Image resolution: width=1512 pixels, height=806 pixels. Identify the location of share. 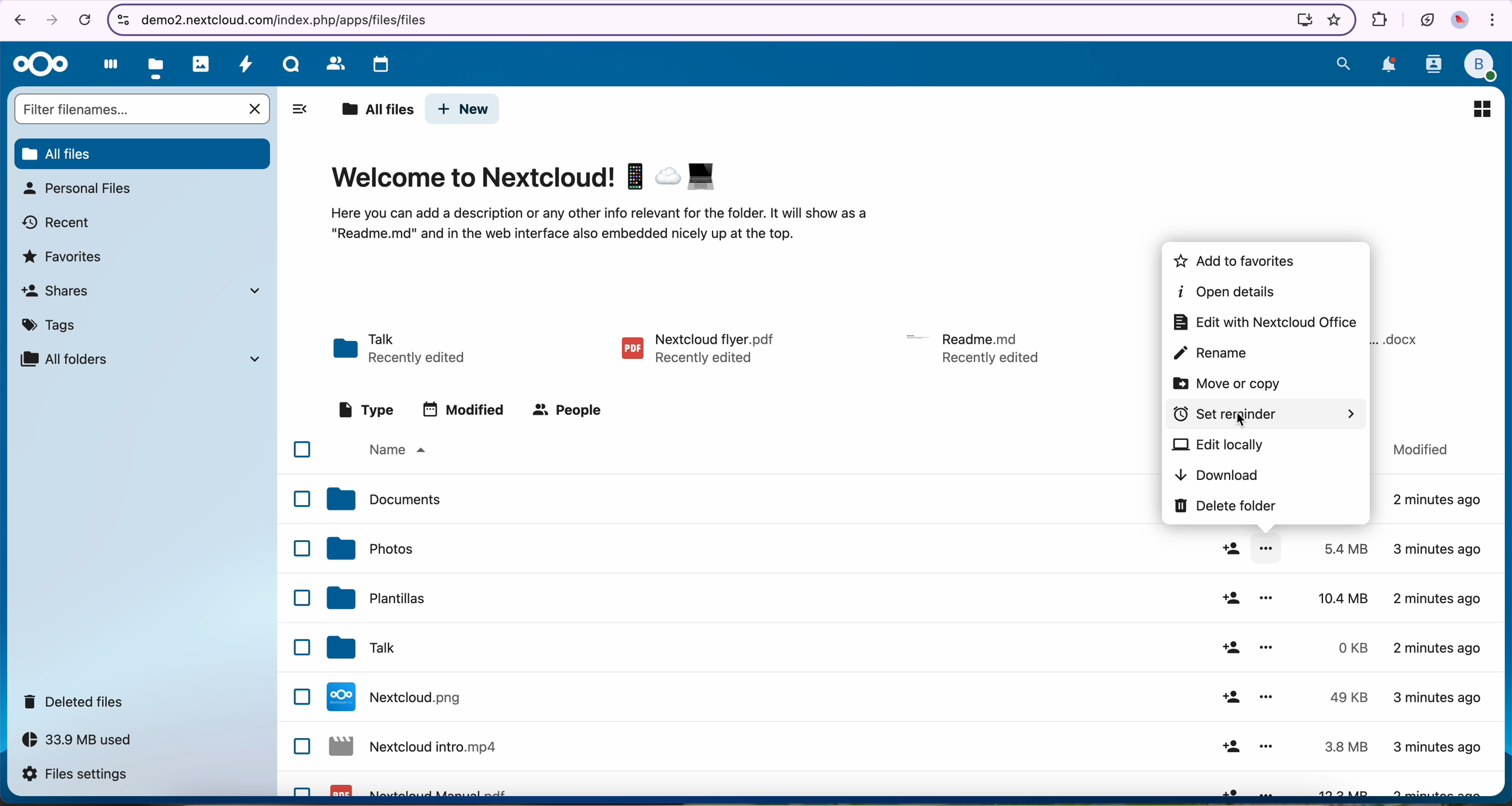
(1229, 648).